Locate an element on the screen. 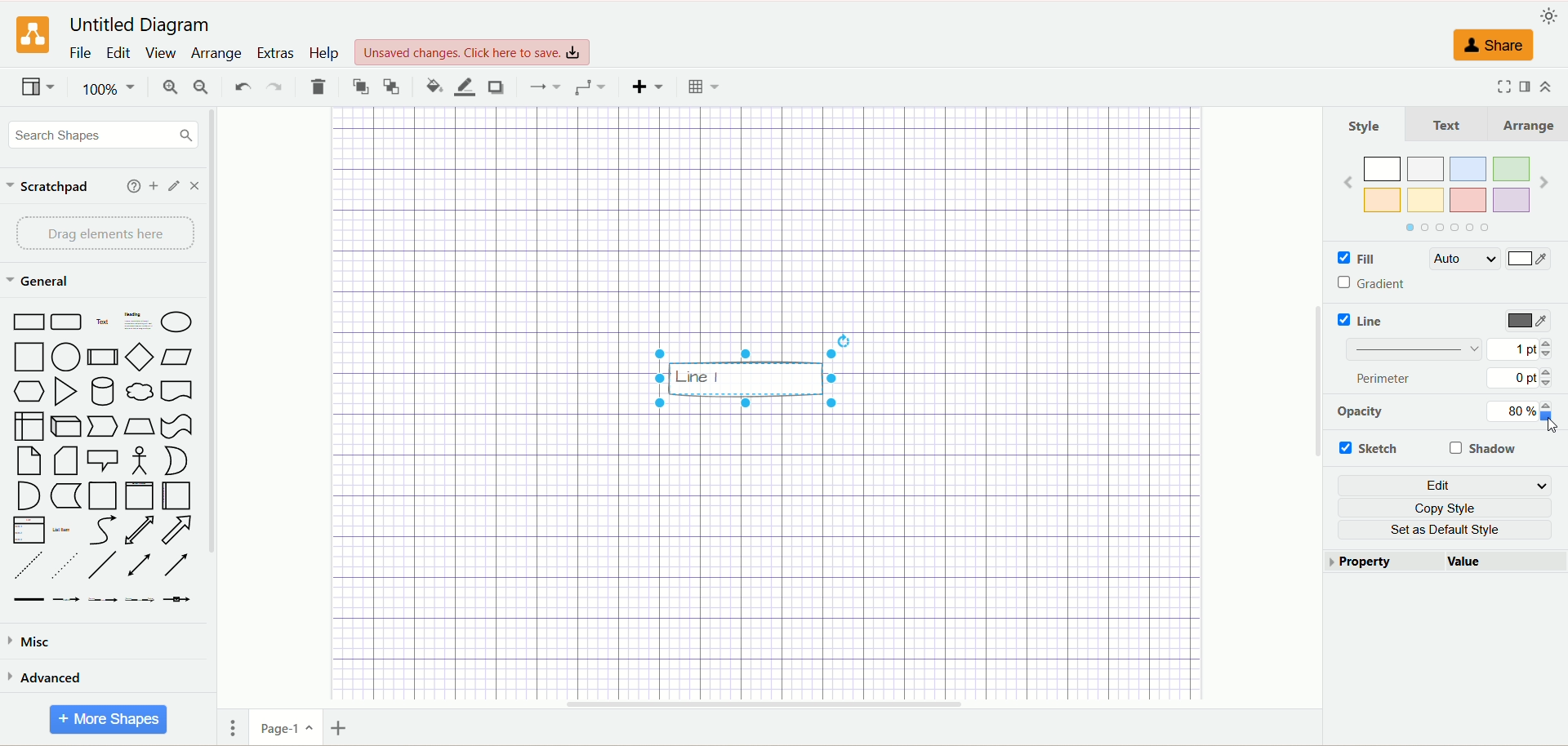 The height and width of the screenshot is (746, 1568). Colors is located at coordinates (1446, 195).